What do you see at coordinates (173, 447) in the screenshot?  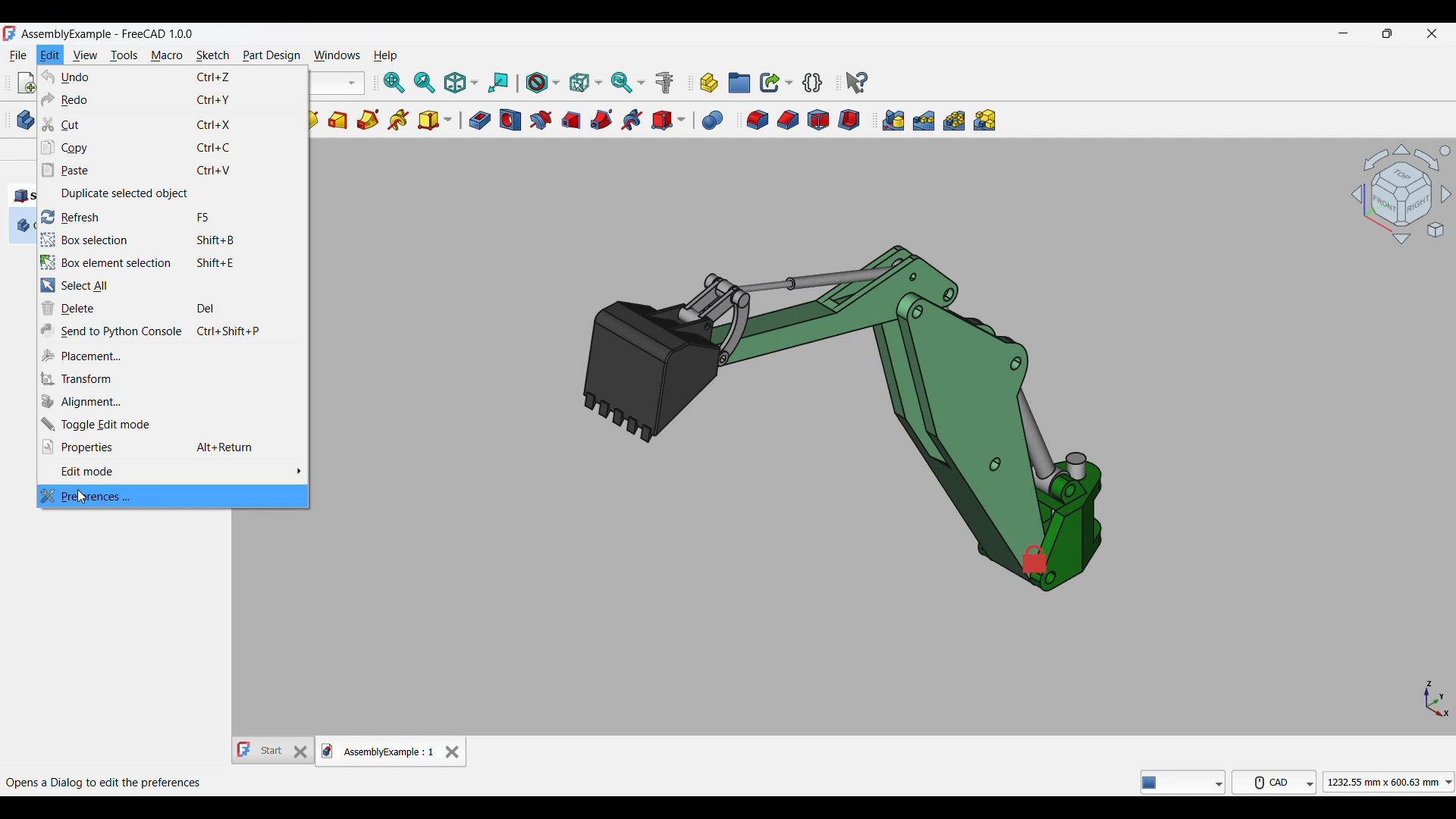 I see `Properties` at bounding box center [173, 447].